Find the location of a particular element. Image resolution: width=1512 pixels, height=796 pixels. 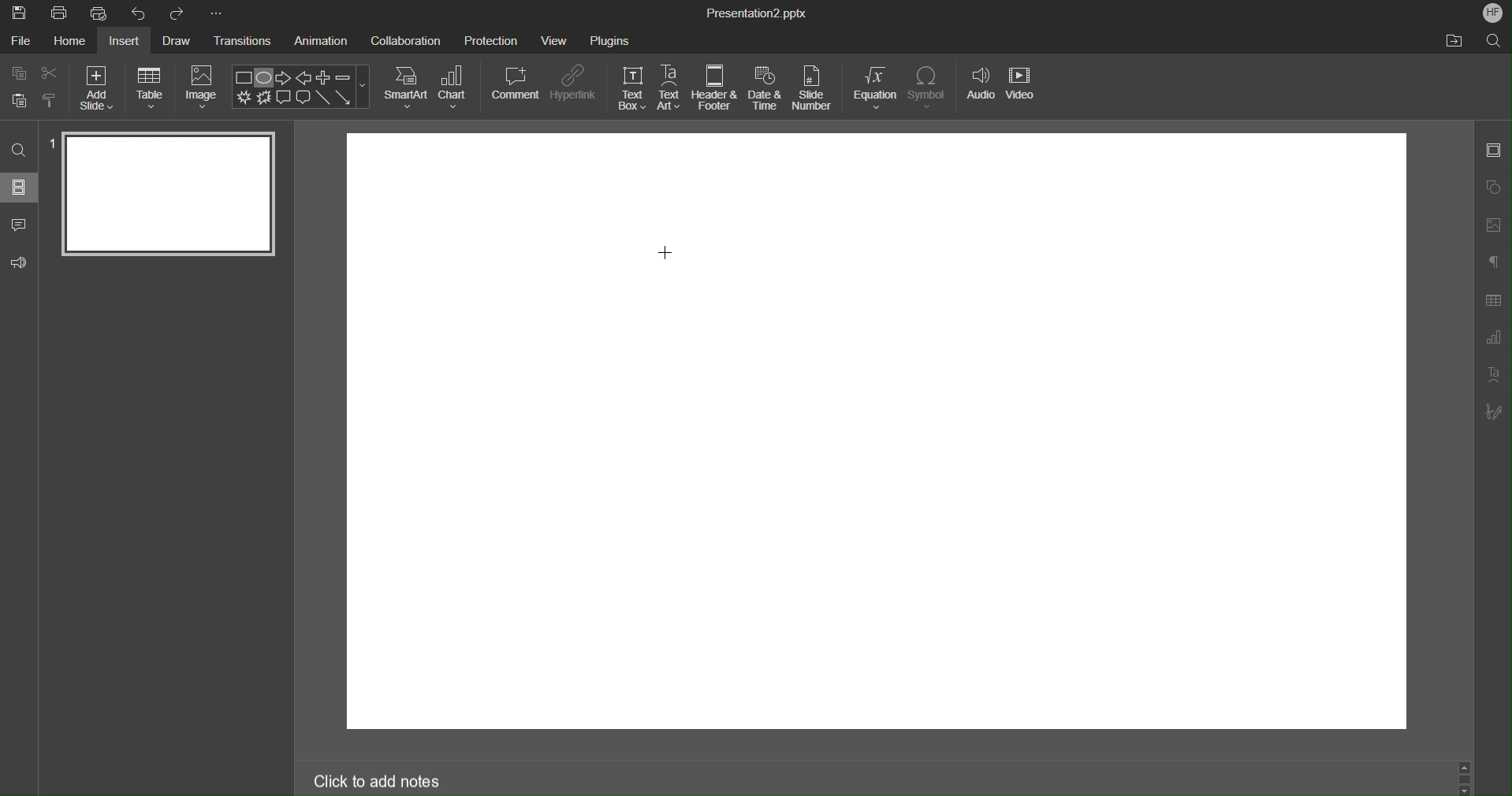

Comment is located at coordinates (516, 83).